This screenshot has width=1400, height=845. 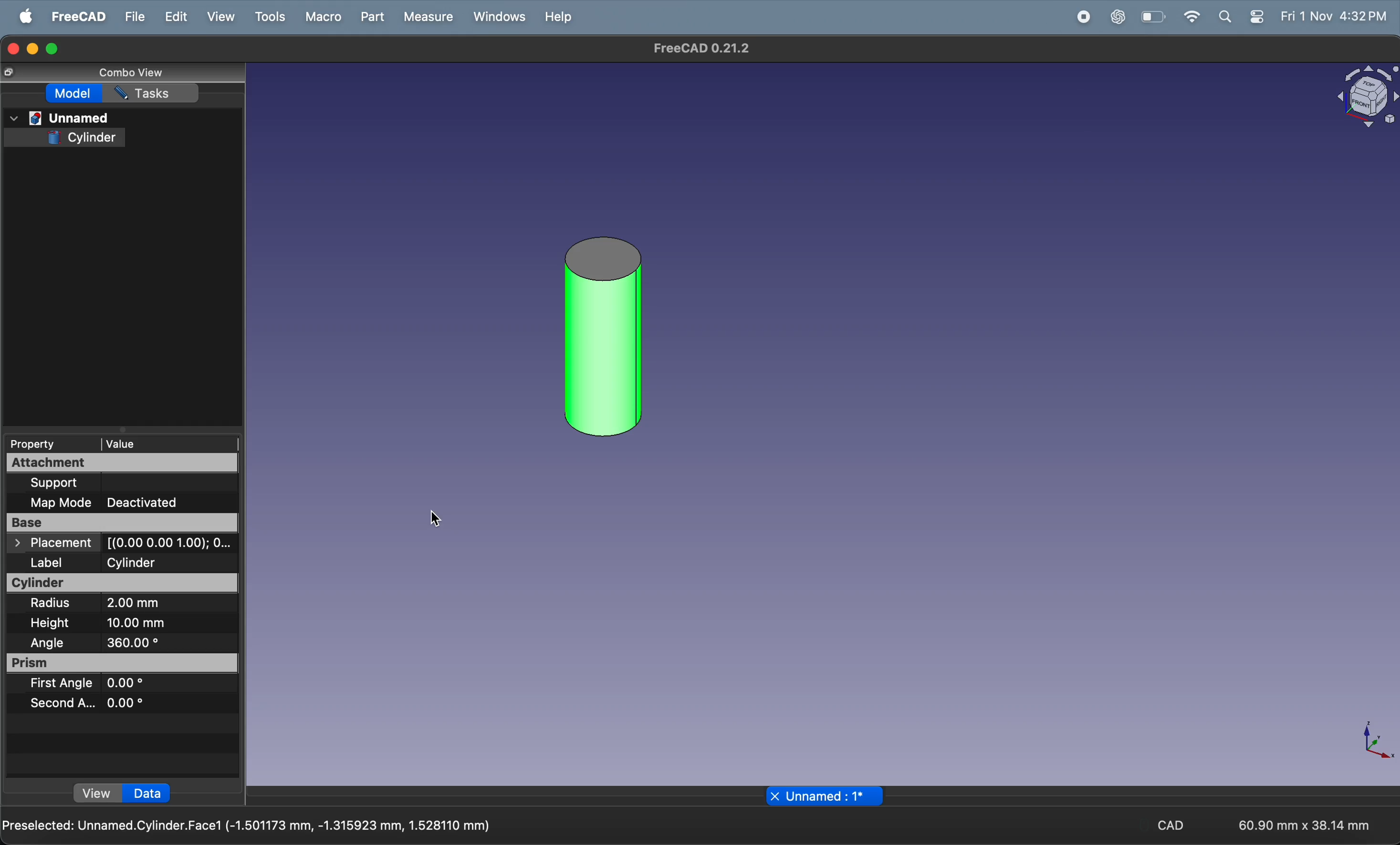 What do you see at coordinates (113, 503) in the screenshot?
I see `map mode deactivated` at bounding box center [113, 503].